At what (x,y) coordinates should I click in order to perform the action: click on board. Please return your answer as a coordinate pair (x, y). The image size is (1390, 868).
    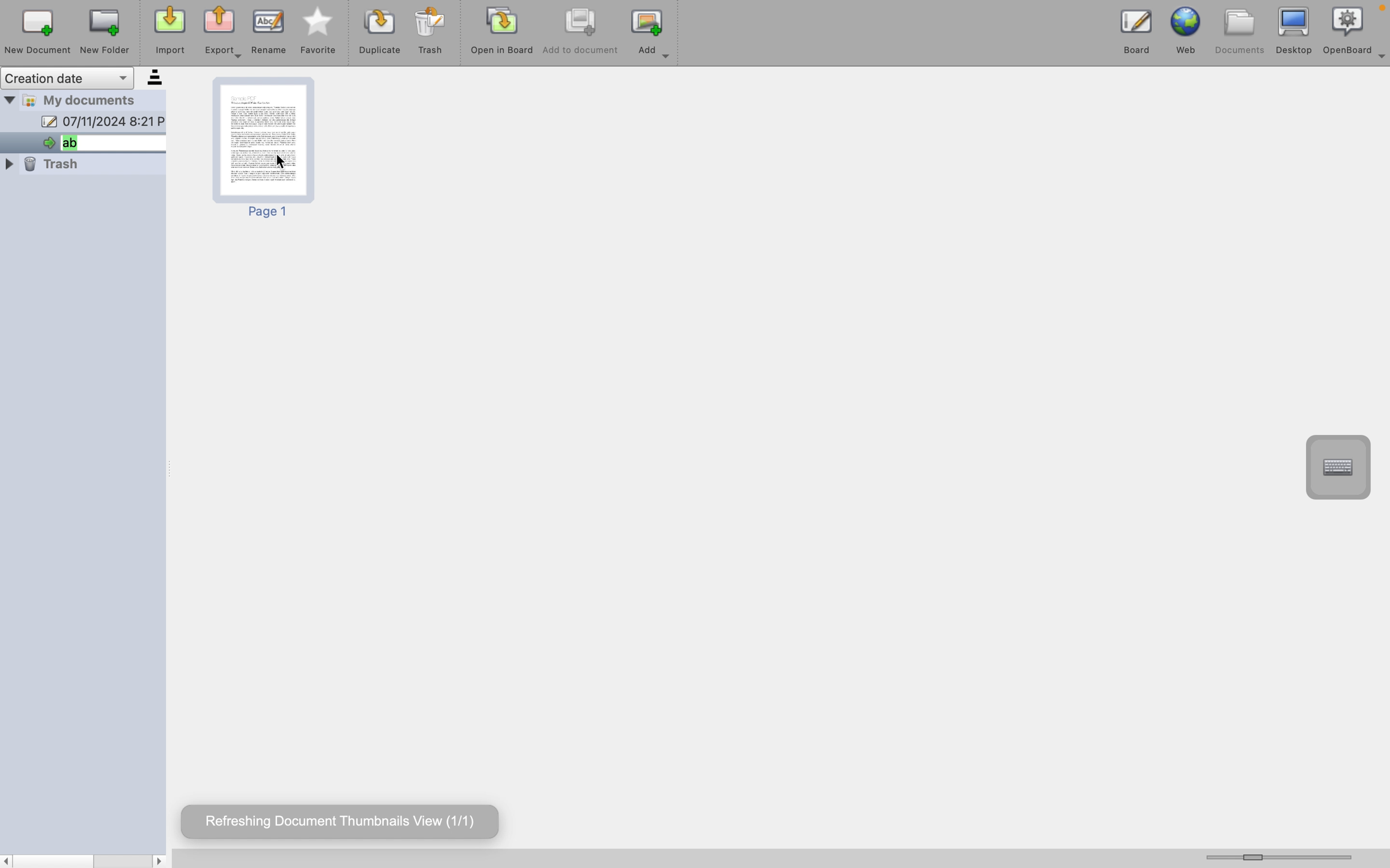
    Looking at the image, I should click on (1137, 29).